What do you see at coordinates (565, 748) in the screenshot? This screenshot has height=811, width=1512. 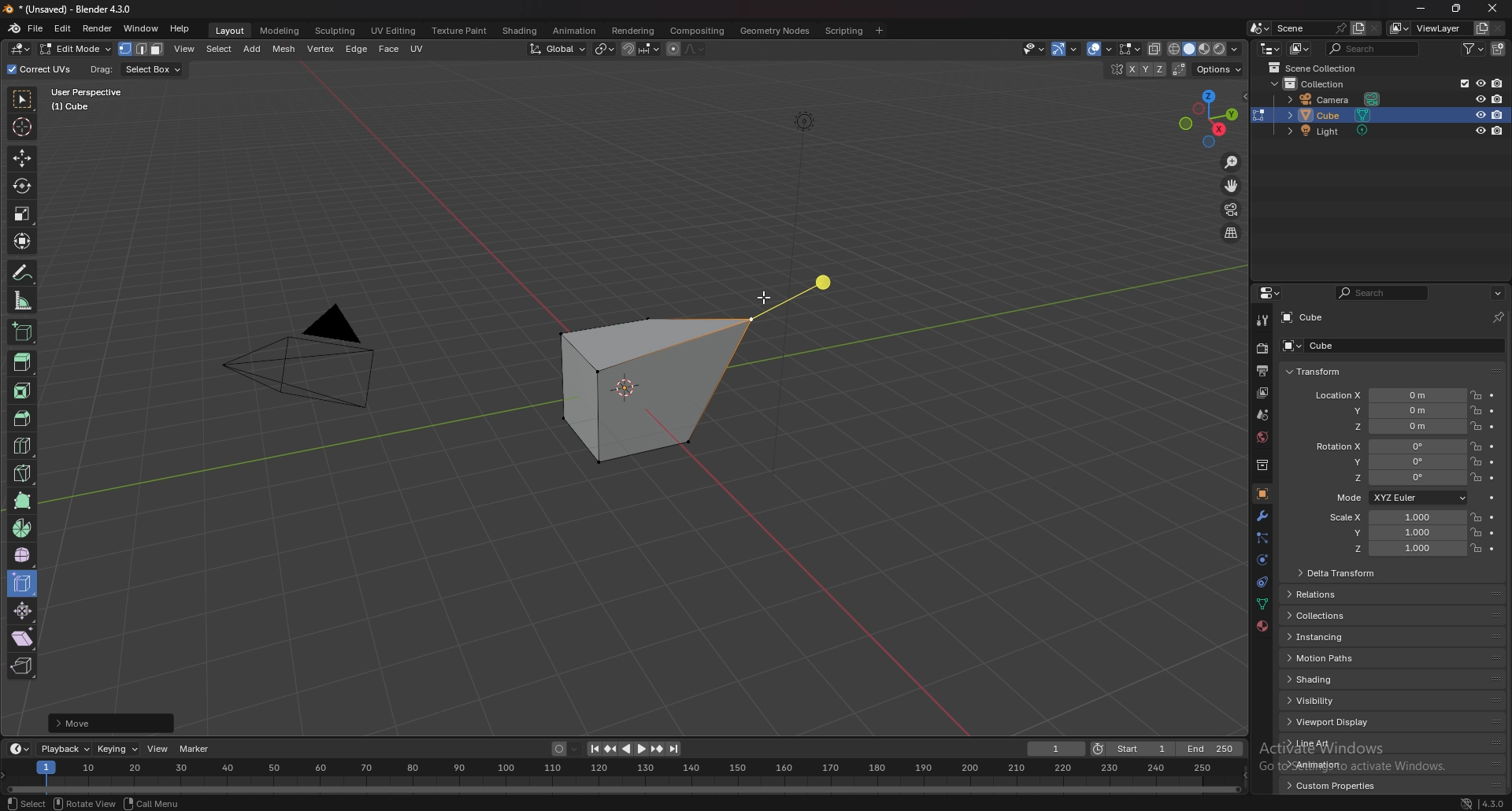 I see `auto keying` at bounding box center [565, 748].